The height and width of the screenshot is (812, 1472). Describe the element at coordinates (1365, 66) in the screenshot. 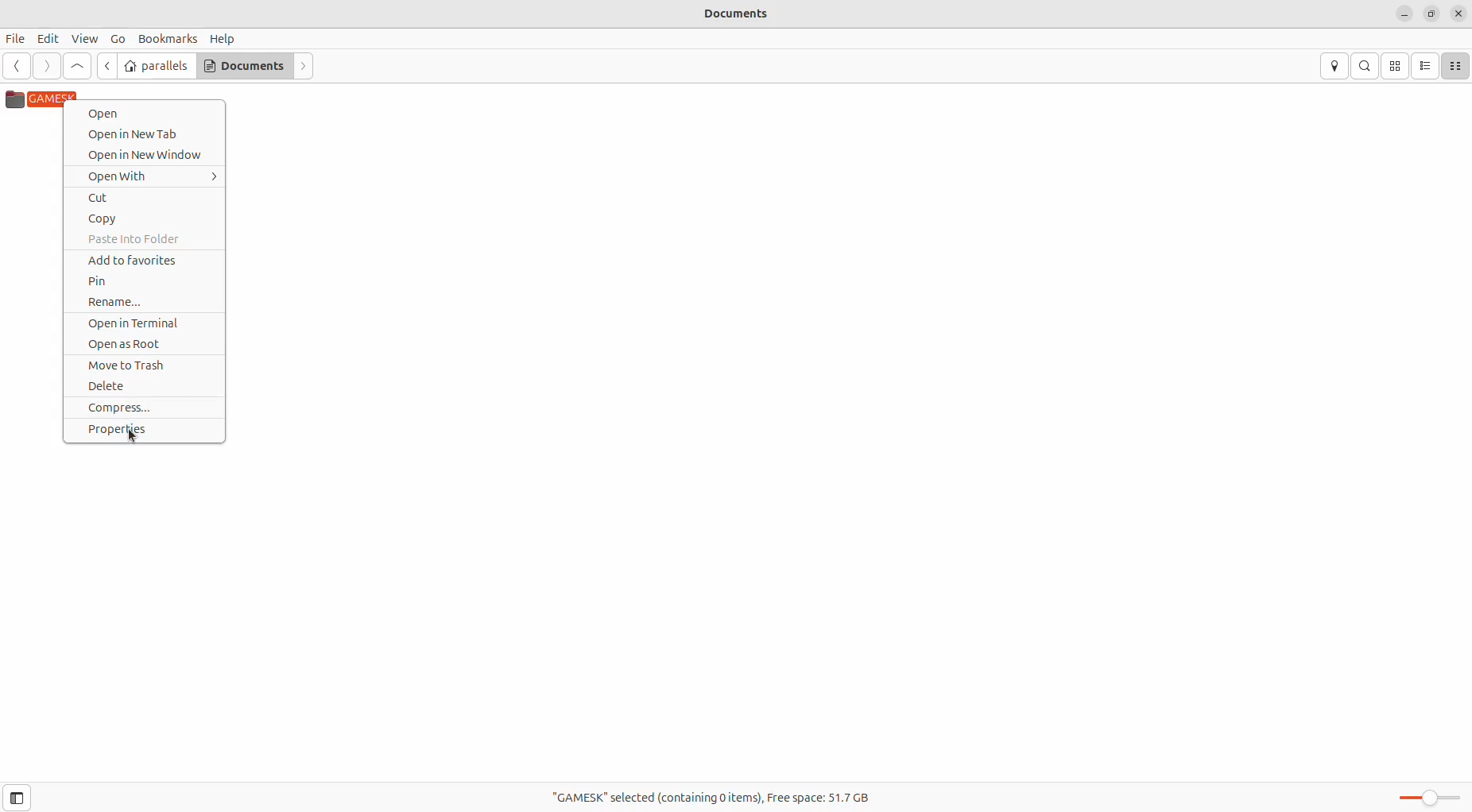

I see `search` at that location.